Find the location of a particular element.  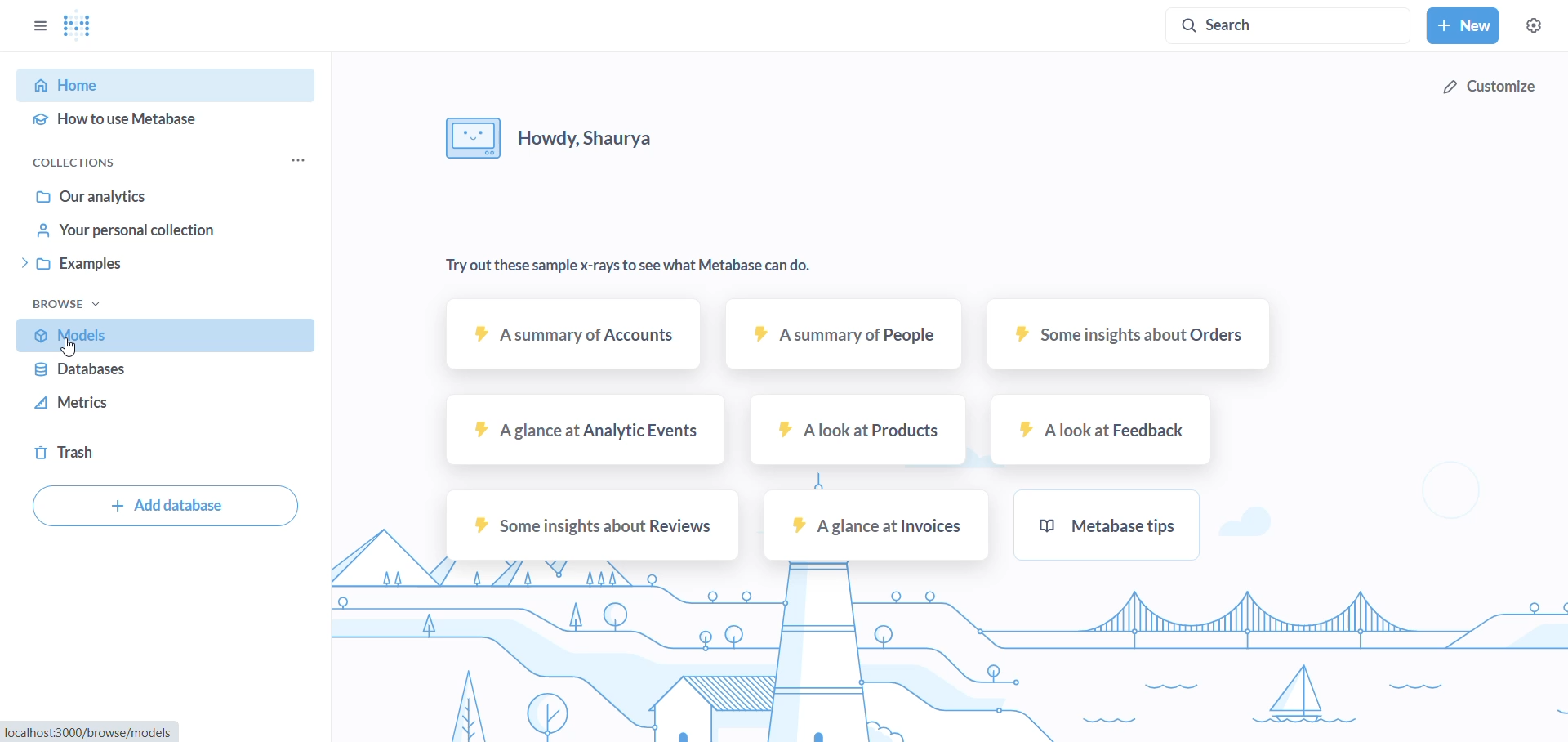

Howdy, Shaurya is located at coordinates (557, 138).